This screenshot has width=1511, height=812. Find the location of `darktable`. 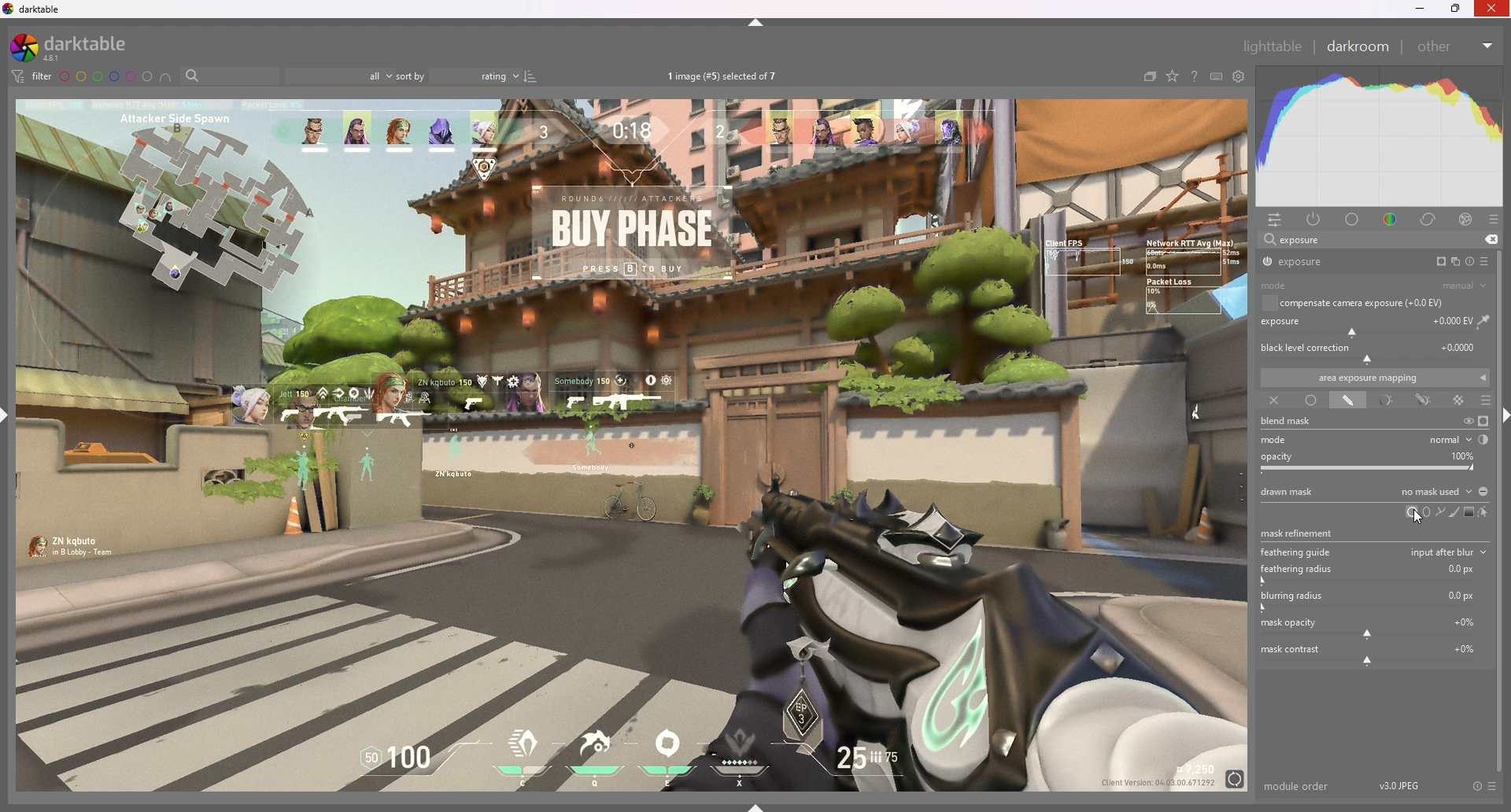

darktable is located at coordinates (35, 9).